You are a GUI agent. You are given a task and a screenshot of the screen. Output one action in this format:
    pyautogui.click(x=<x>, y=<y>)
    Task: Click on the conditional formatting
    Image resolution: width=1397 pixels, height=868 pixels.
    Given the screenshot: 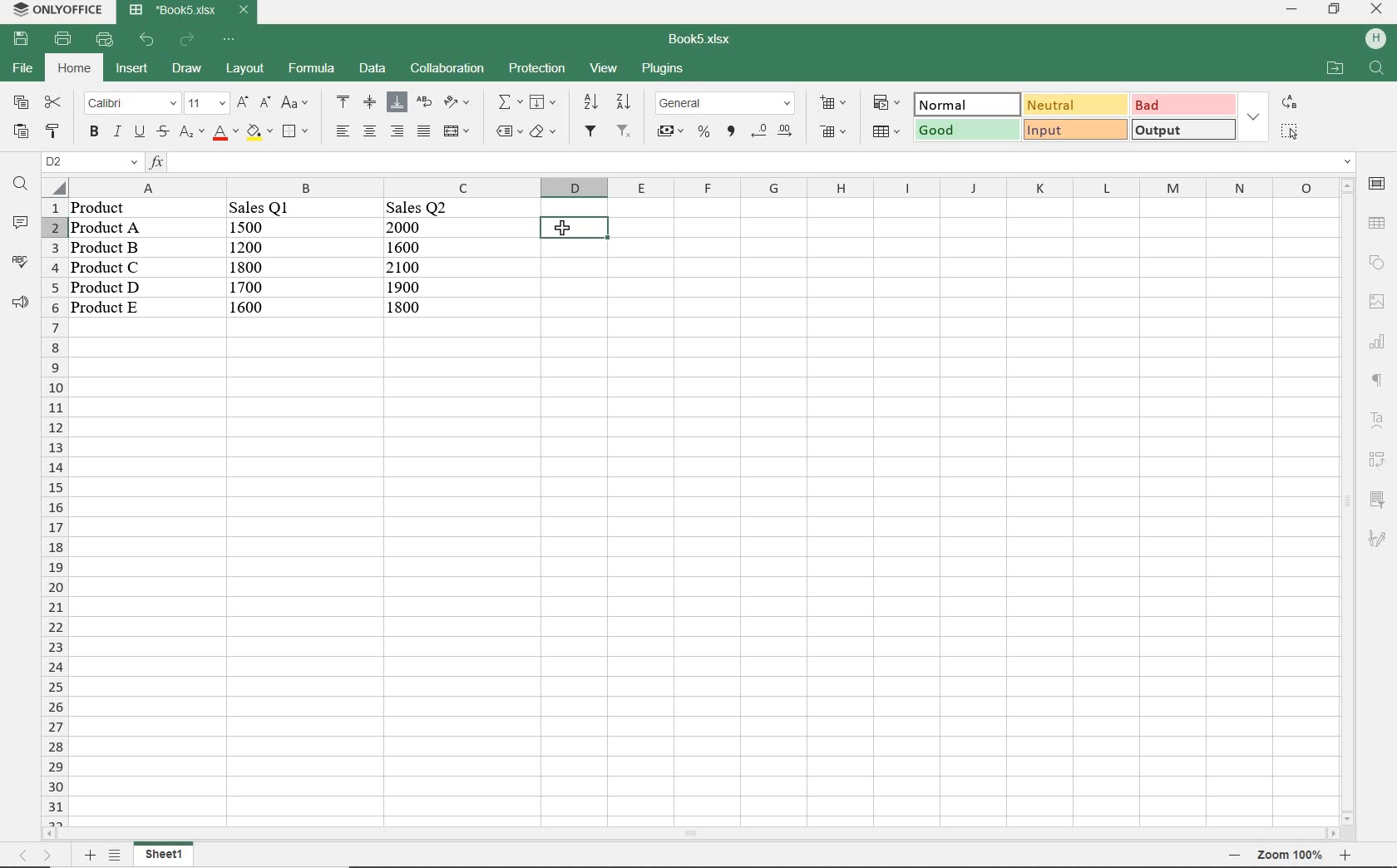 What is the action you would take?
    pyautogui.click(x=887, y=104)
    